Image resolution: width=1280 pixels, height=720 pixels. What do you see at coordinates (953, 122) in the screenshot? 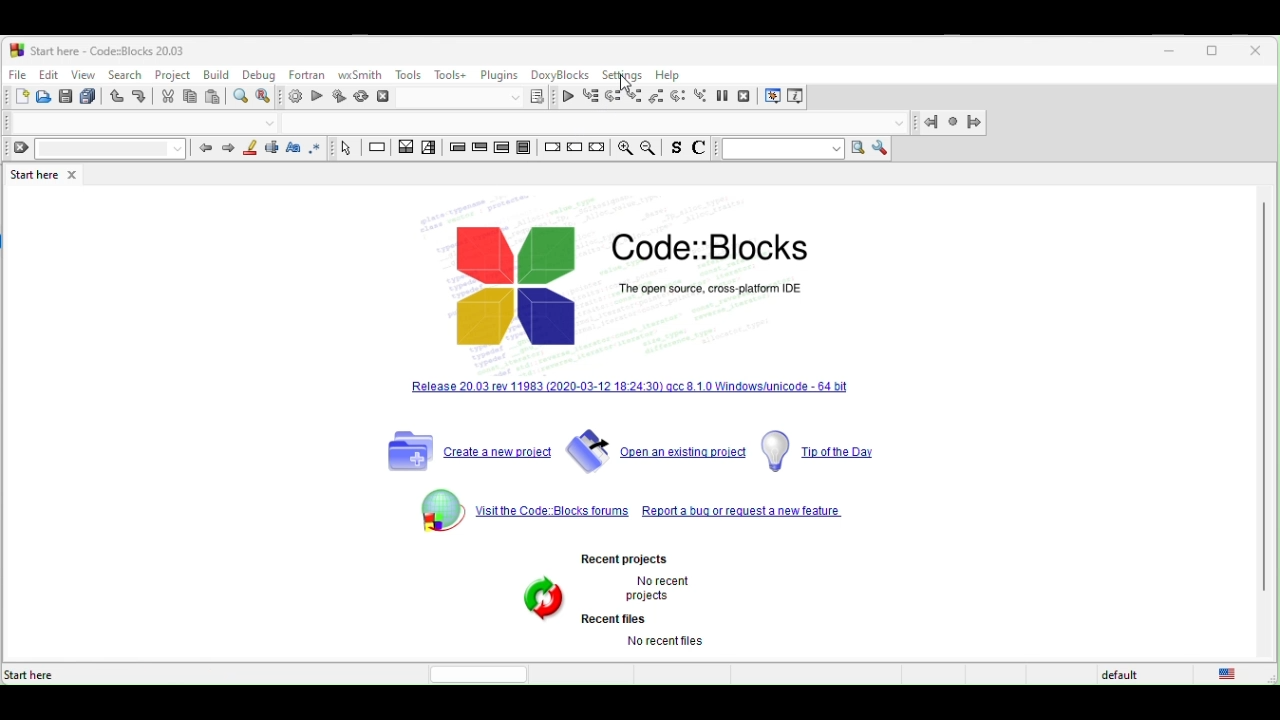
I see `last jump` at bounding box center [953, 122].